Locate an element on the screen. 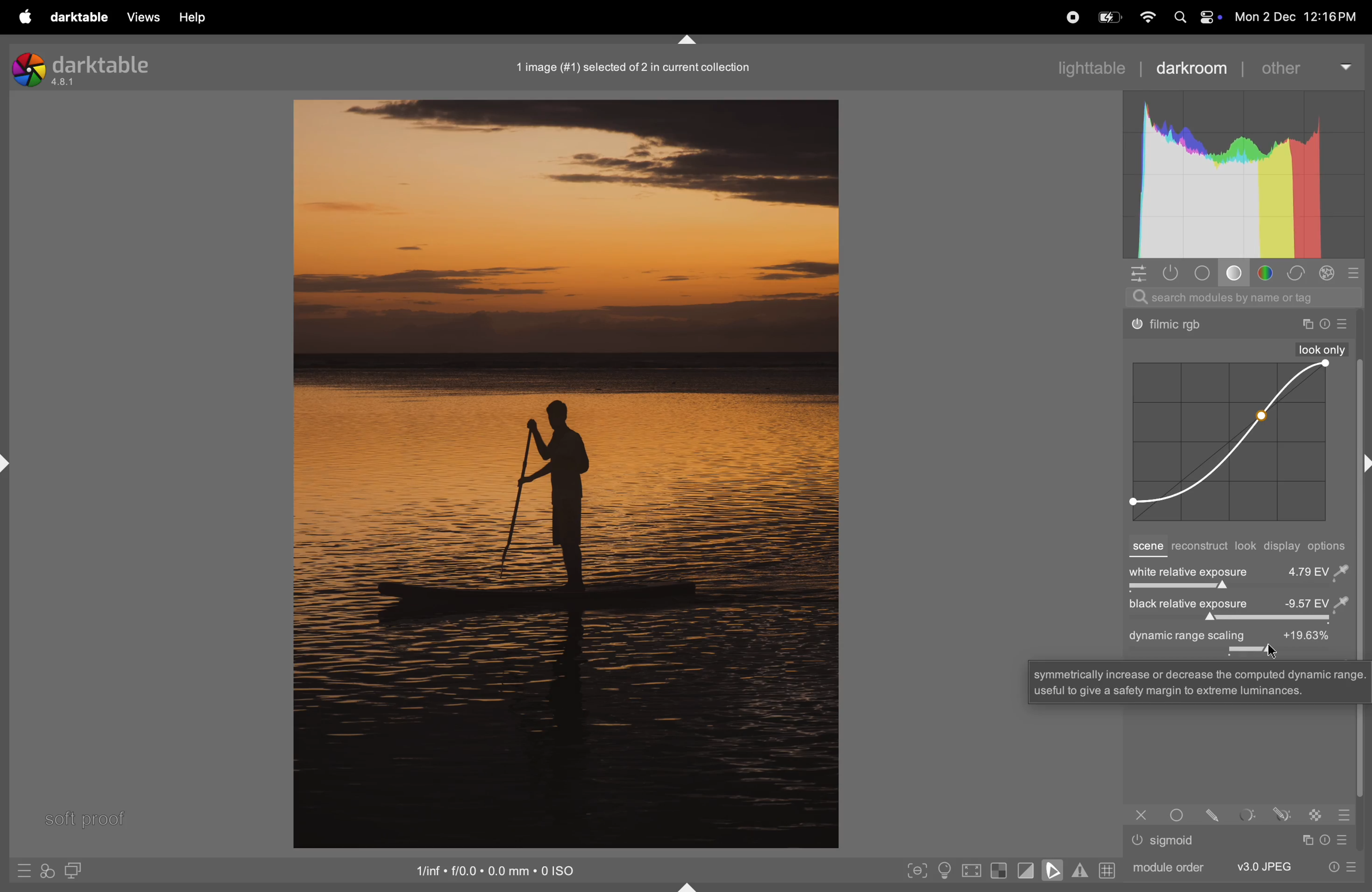 The width and height of the screenshot is (1372, 892). wifi is located at coordinates (1146, 18).